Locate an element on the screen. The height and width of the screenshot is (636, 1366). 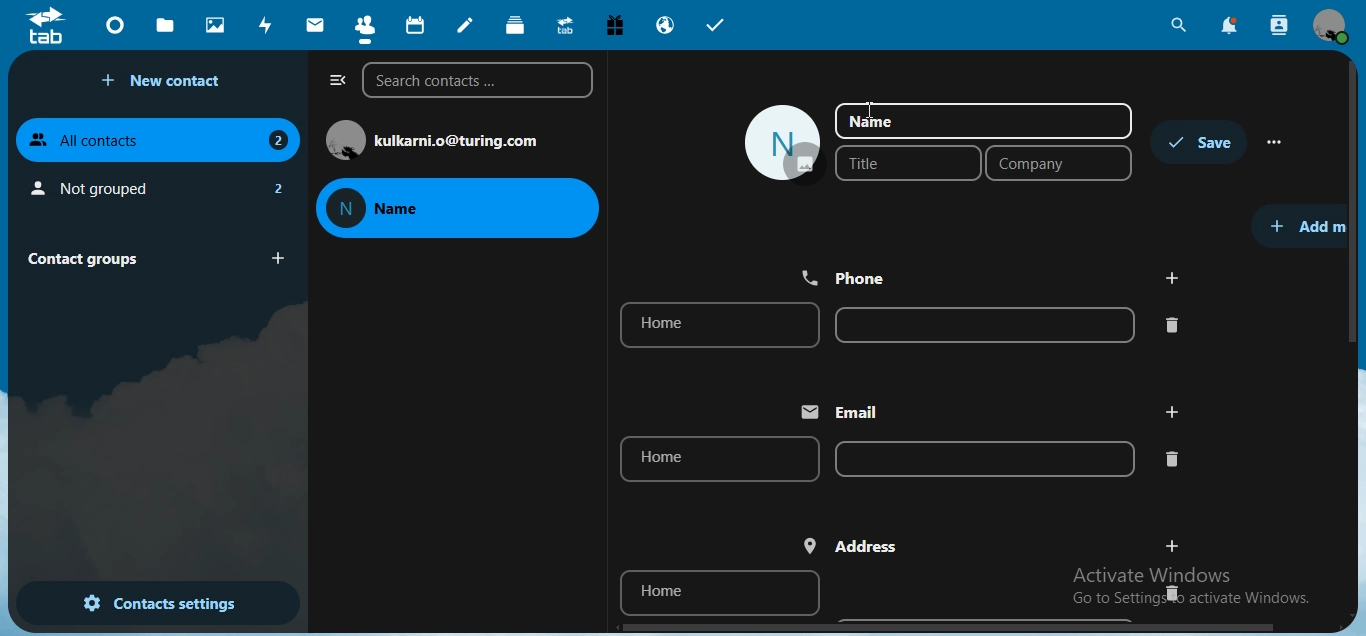
photos is located at coordinates (213, 24).